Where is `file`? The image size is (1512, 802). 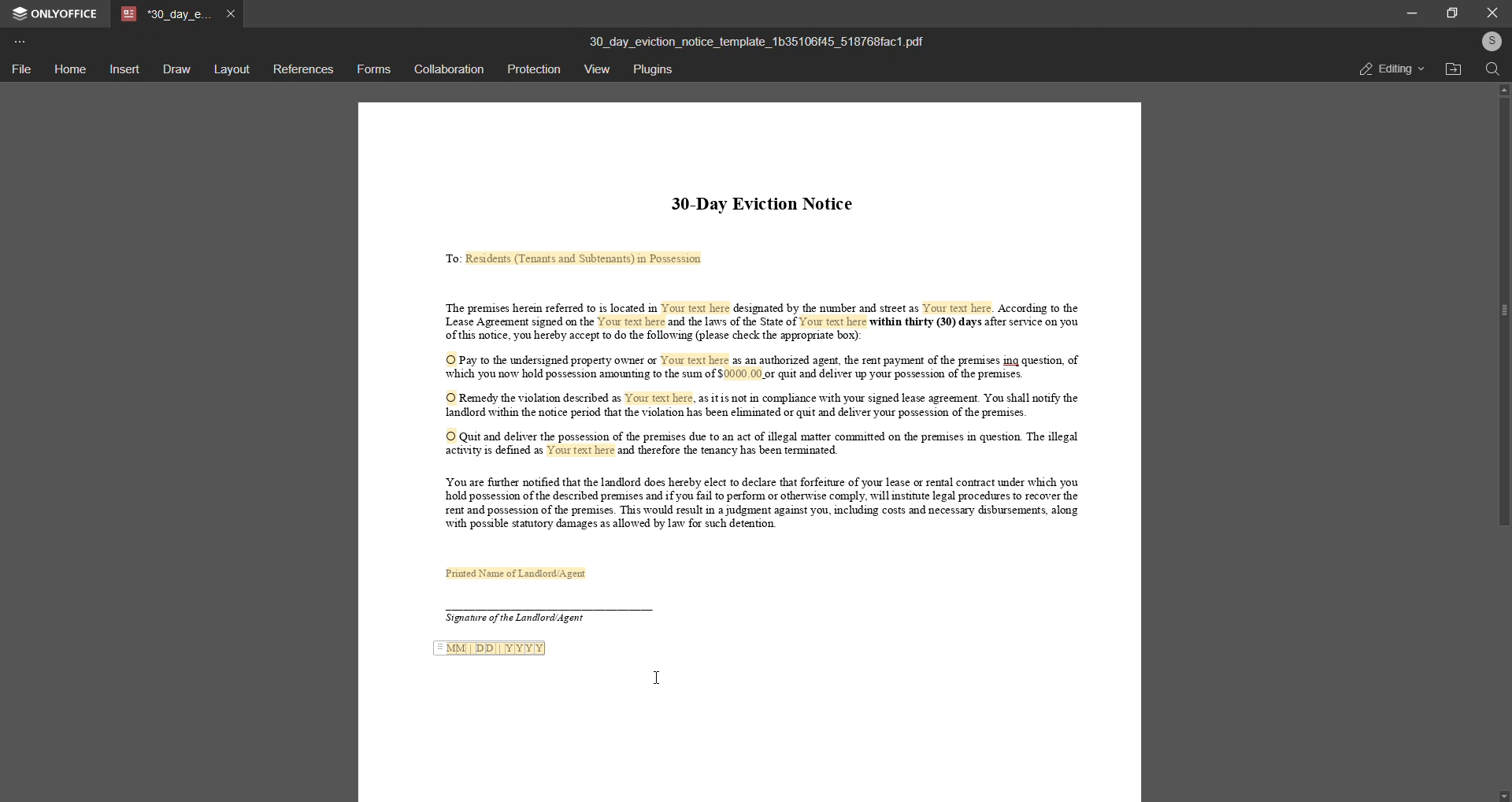
file is located at coordinates (20, 70).